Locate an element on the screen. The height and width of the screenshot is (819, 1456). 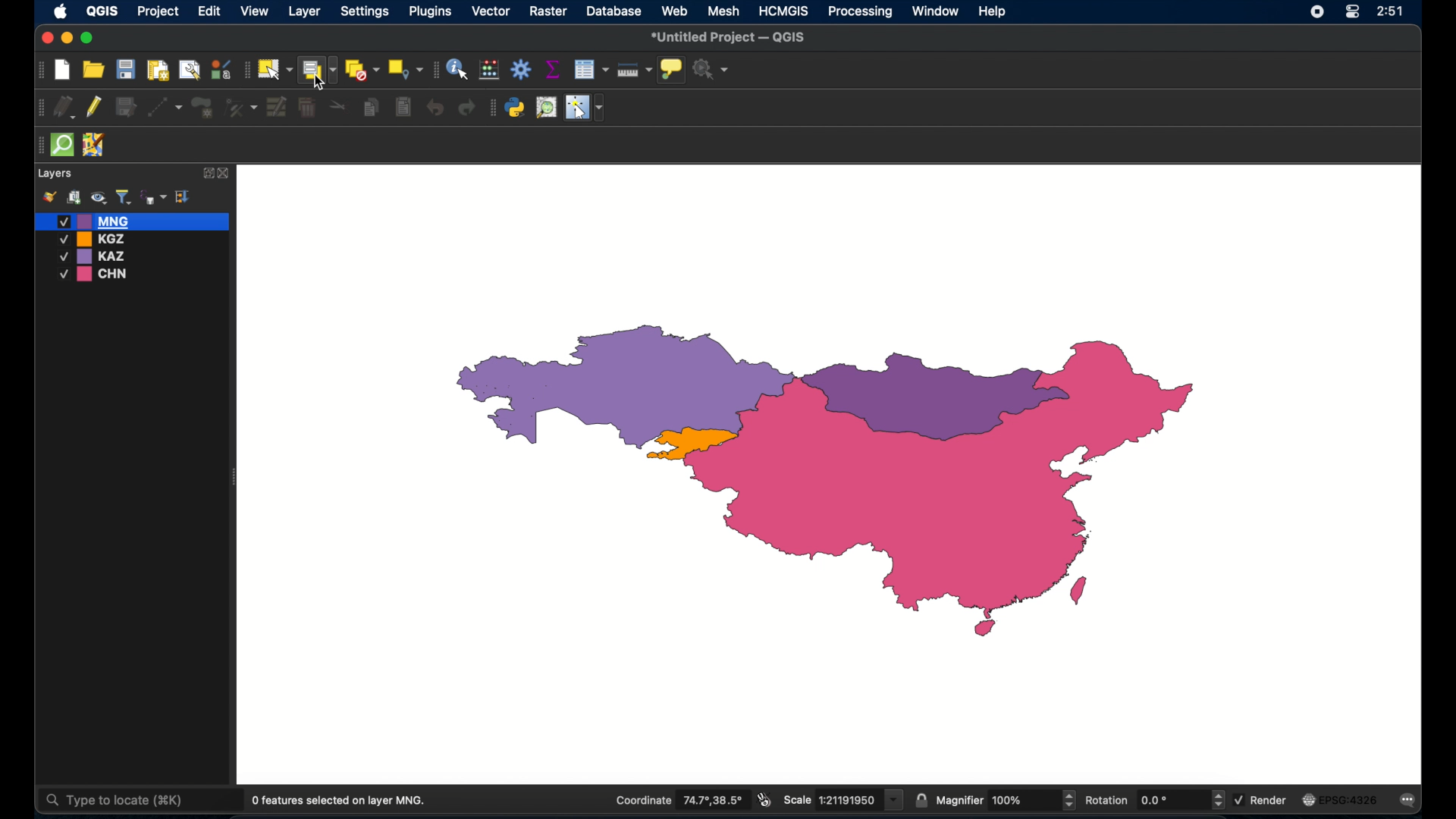
project toolbar is located at coordinates (38, 71).